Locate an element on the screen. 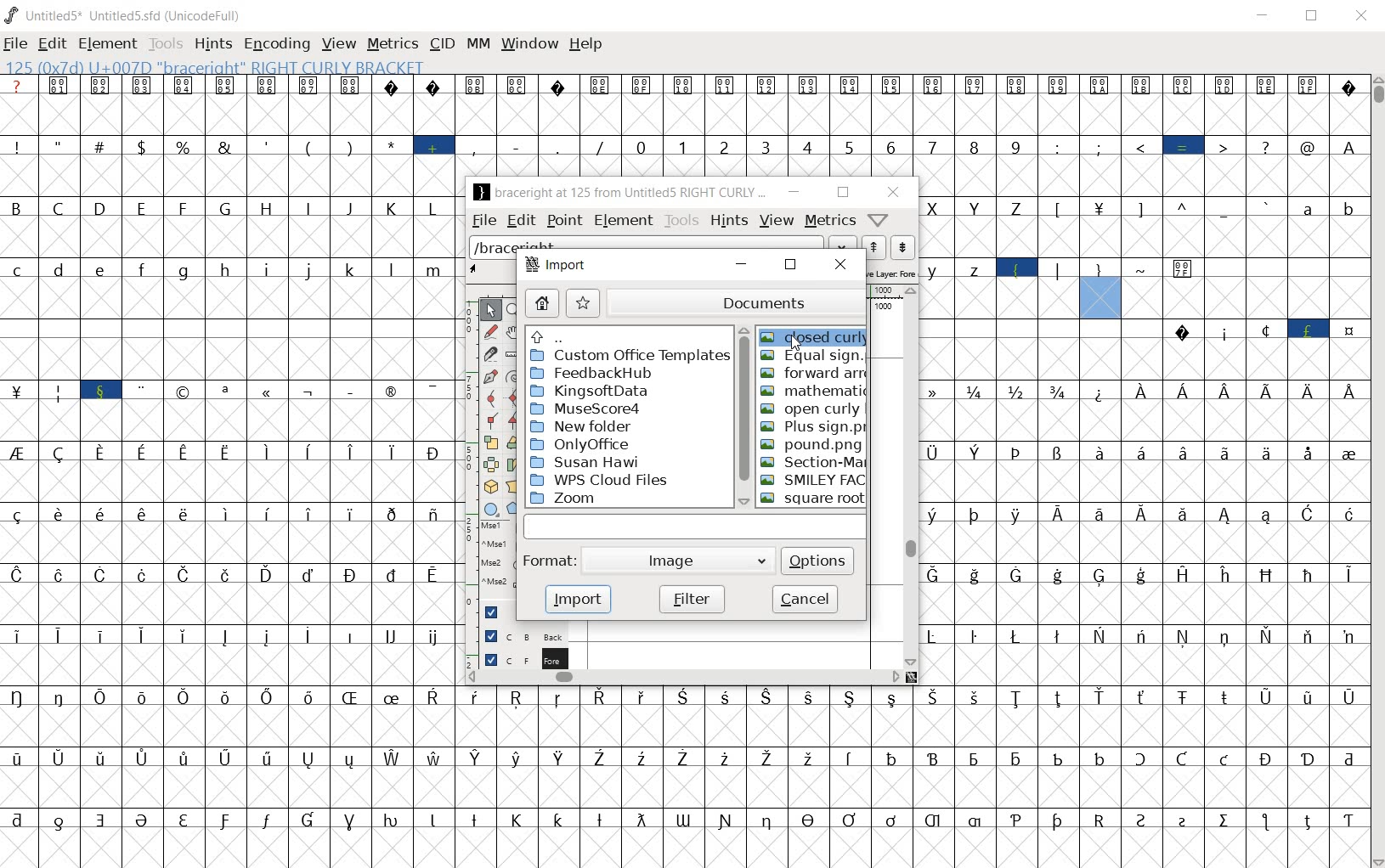 The width and height of the screenshot is (1385, 868). glyph characters is located at coordinates (910, 777).